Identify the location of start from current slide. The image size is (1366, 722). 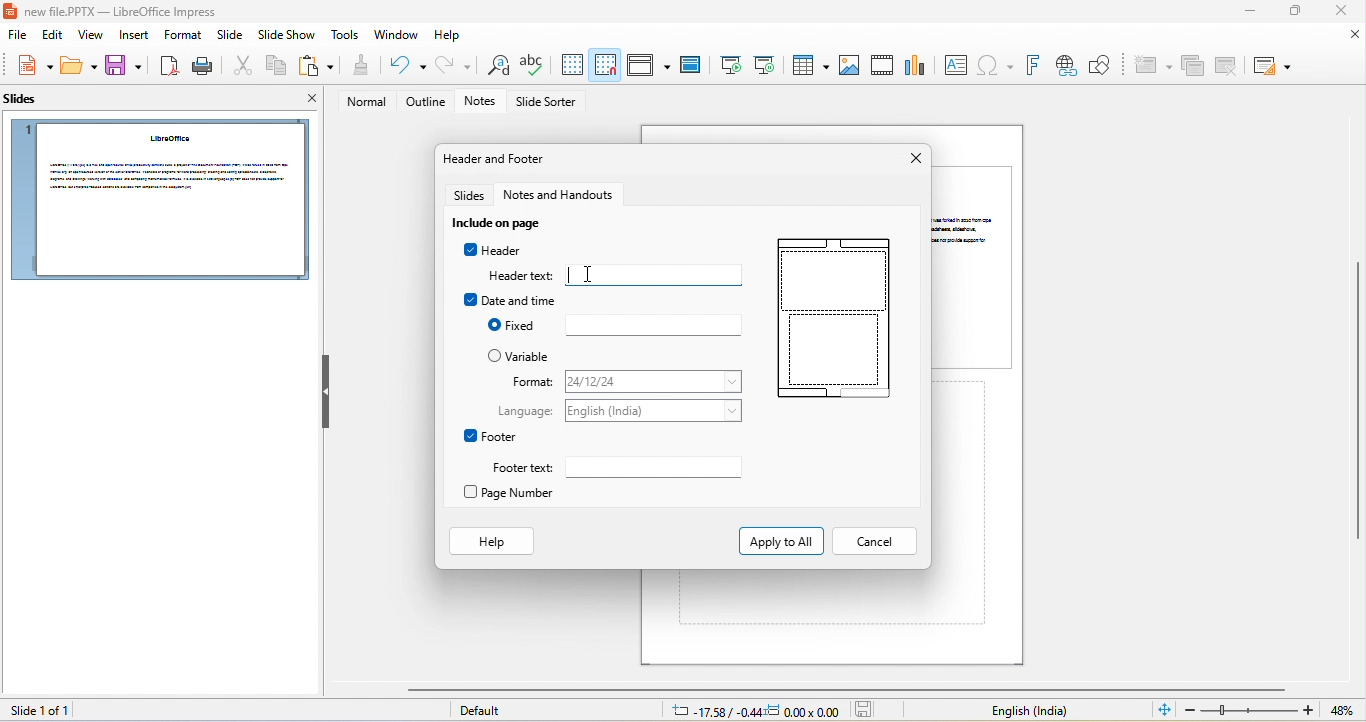
(764, 64).